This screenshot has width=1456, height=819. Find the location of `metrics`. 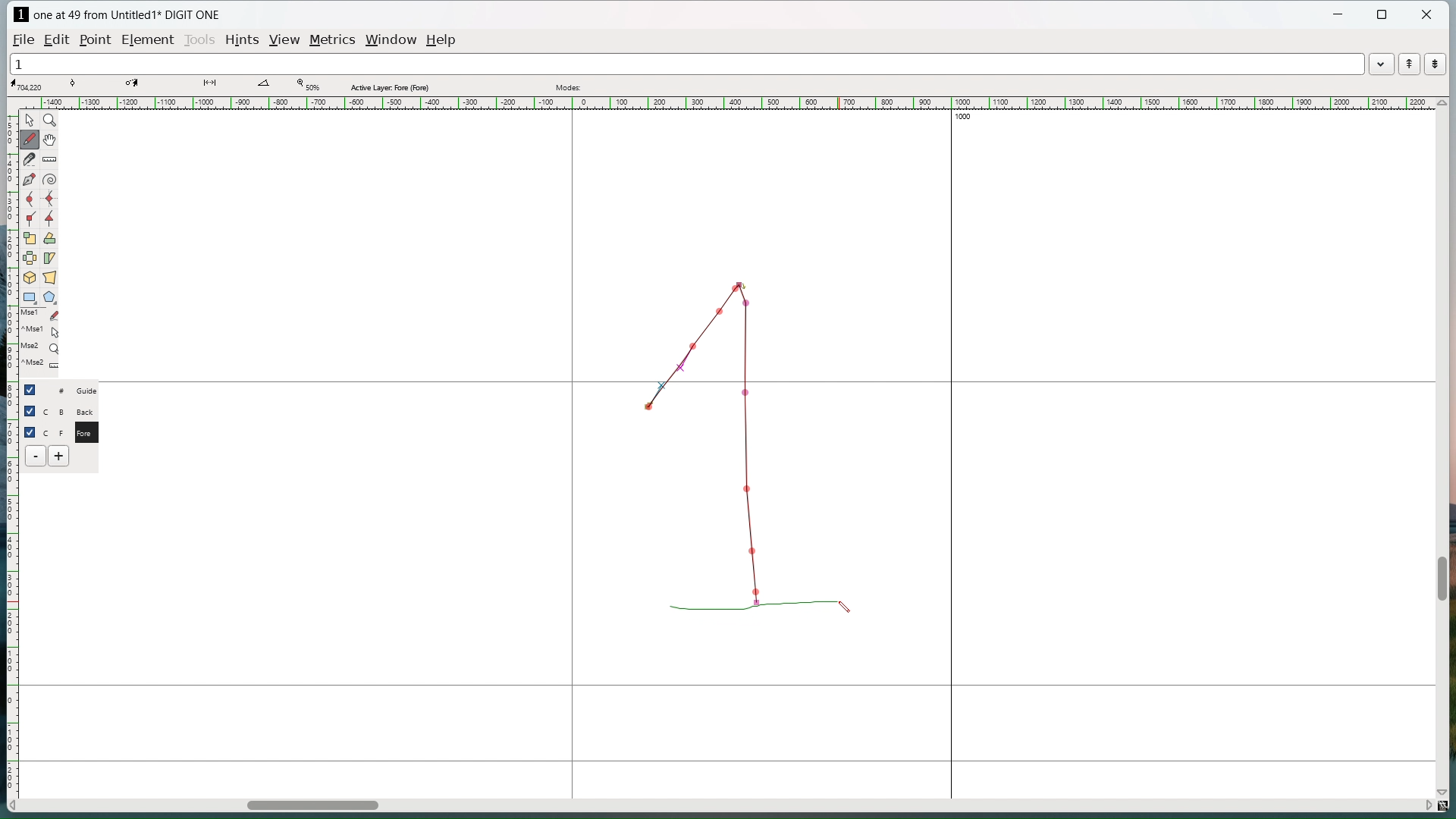

metrics is located at coordinates (334, 41).